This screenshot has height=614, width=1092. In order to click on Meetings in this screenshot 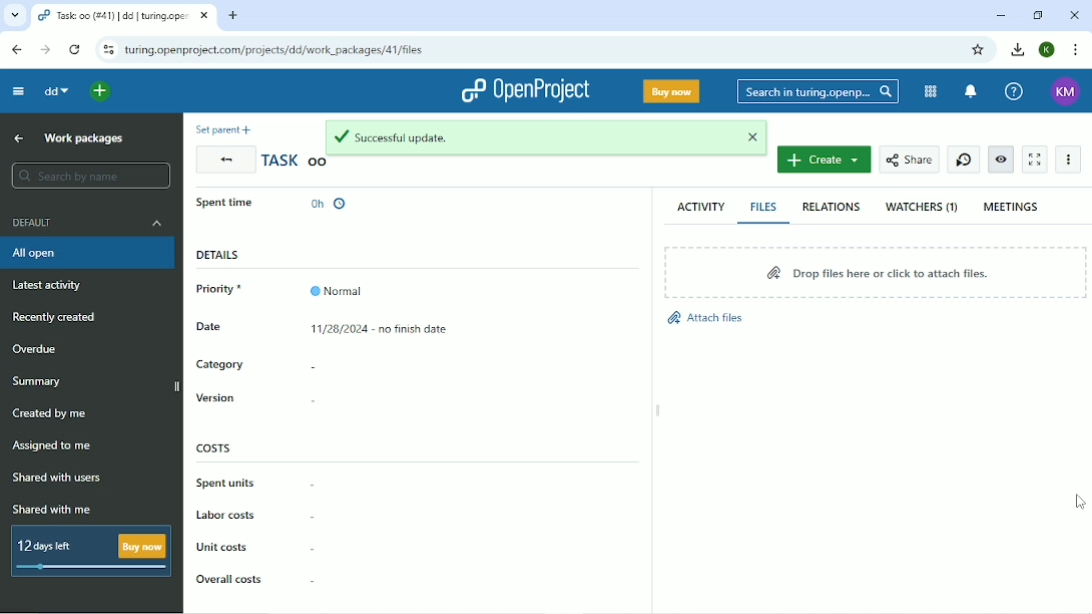, I will do `click(1014, 205)`.